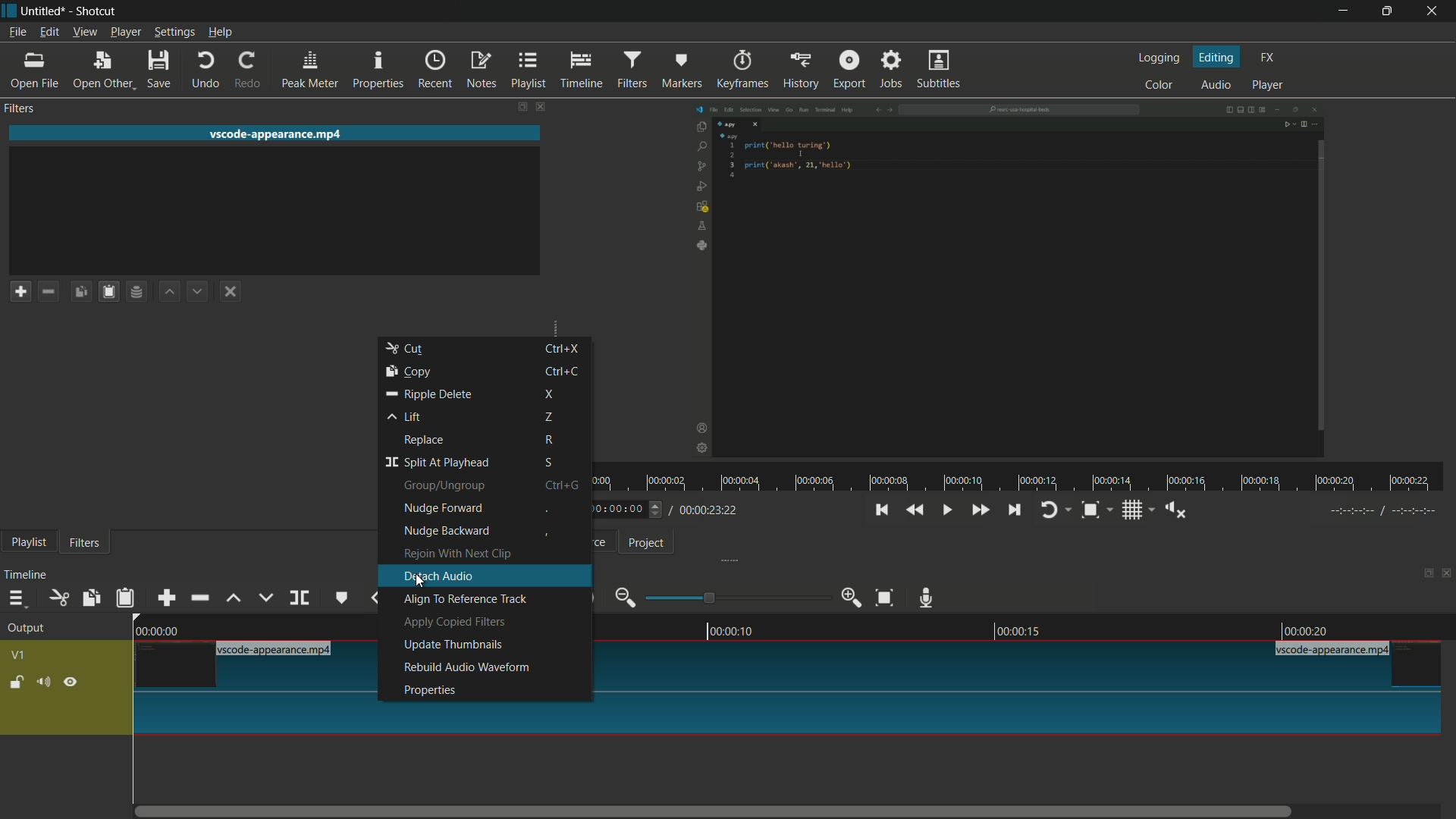 This screenshot has width=1456, height=819. What do you see at coordinates (231, 292) in the screenshot?
I see `deselect the filter` at bounding box center [231, 292].